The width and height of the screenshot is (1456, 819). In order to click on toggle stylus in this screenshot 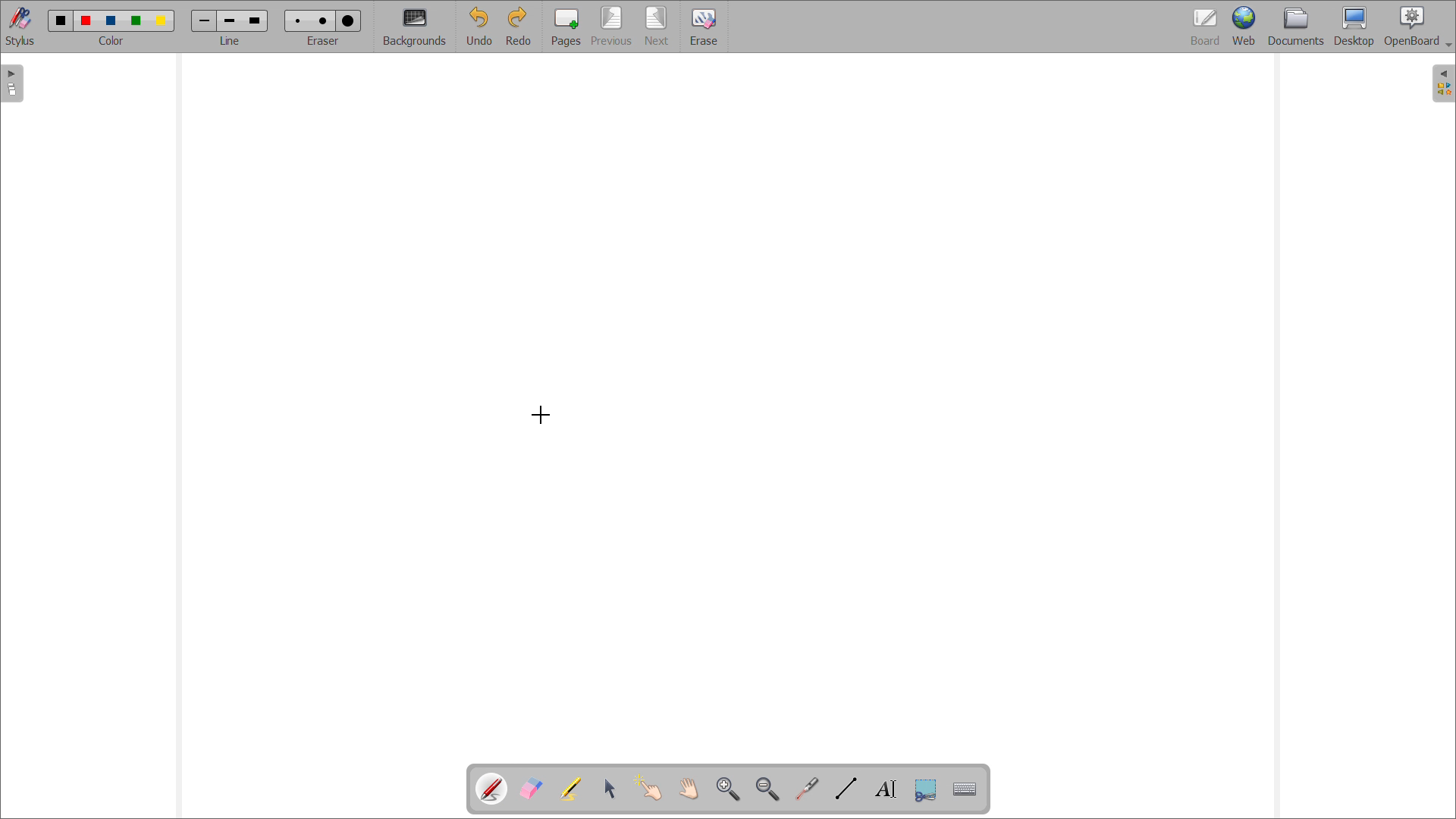, I will do `click(20, 26)`.